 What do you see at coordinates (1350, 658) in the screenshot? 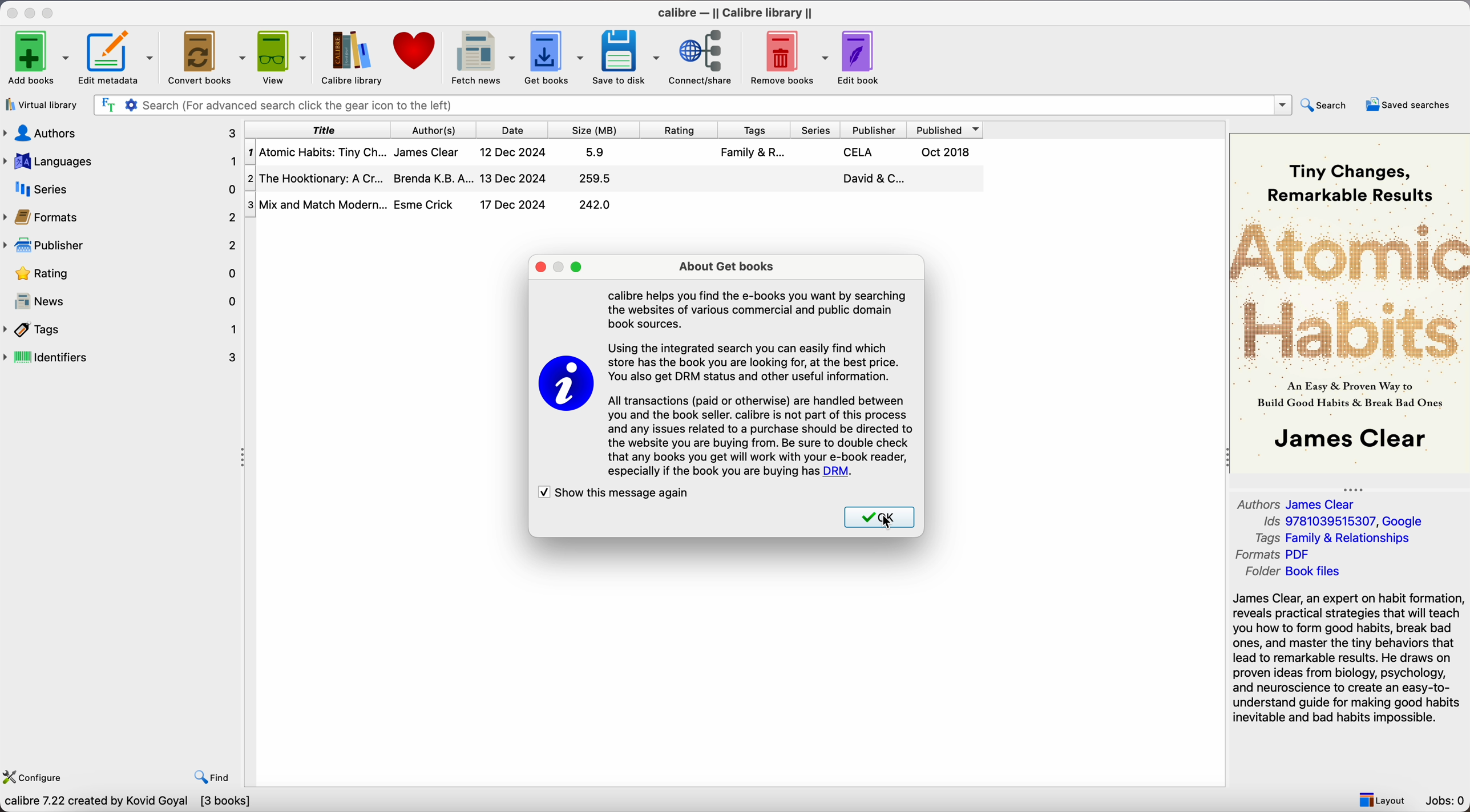
I see `synopsis` at bounding box center [1350, 658].